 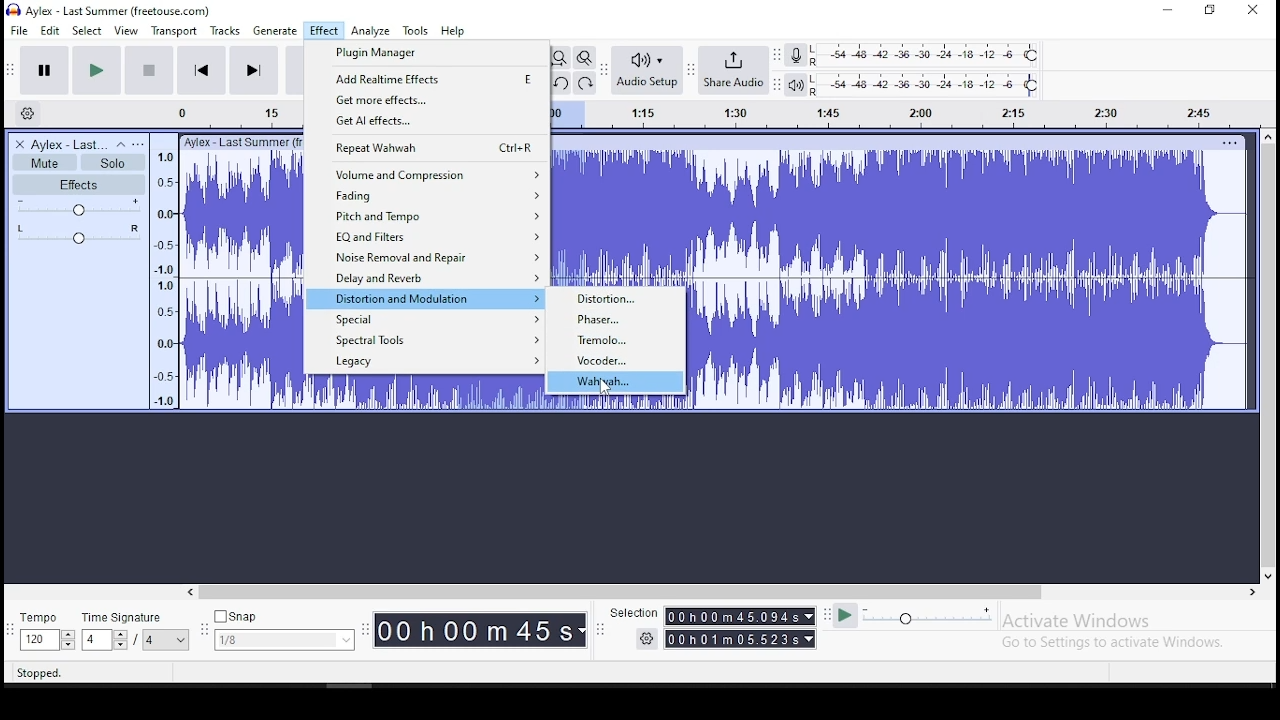 What do you see at coordinates (286, 631) in the screenshot?
I see `snap` at bounding box center [286, 631].